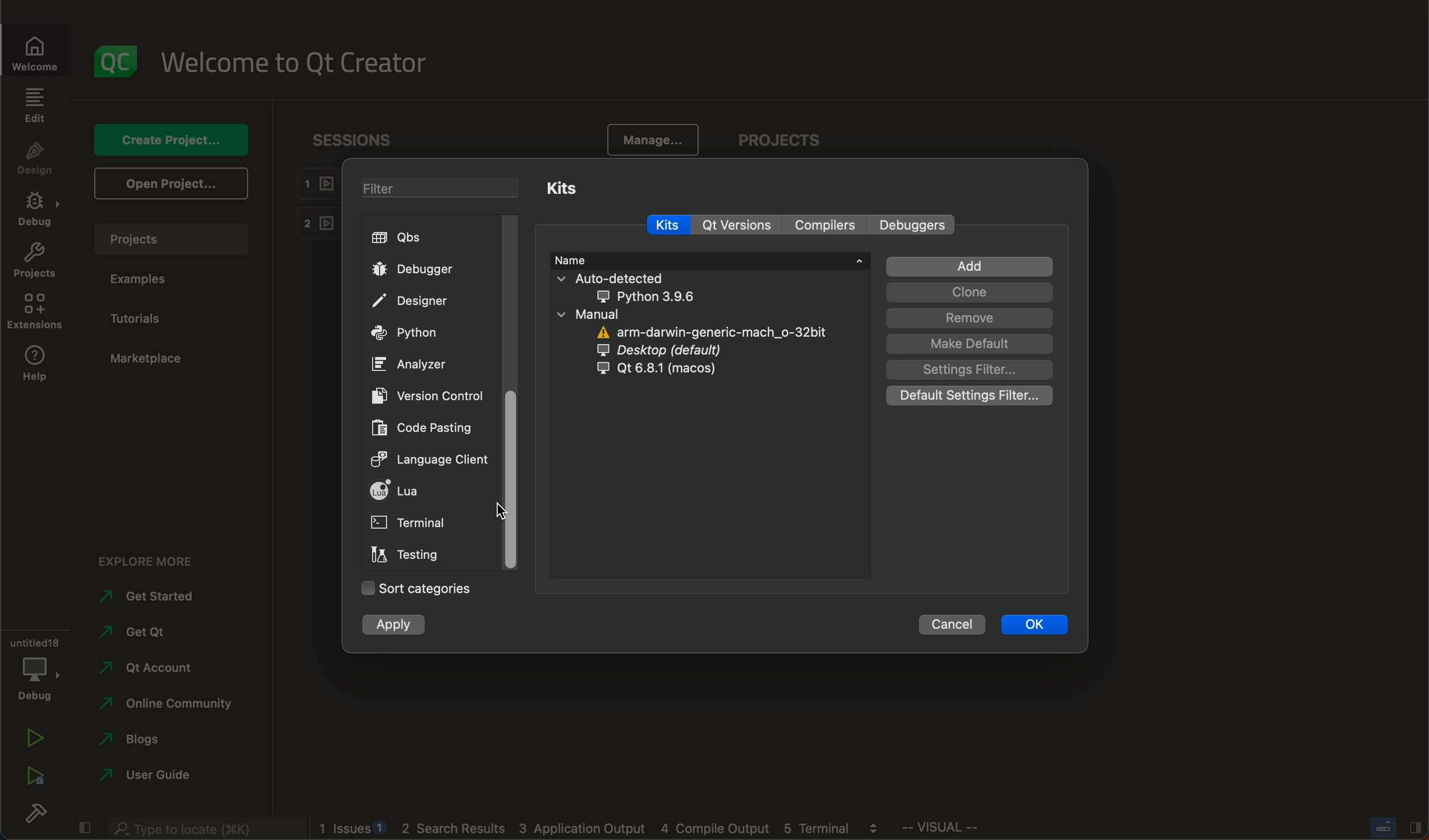 Image resolution: width=1429 pixels, height=840 pixels. I want to click on ok, so click(1030, 624).